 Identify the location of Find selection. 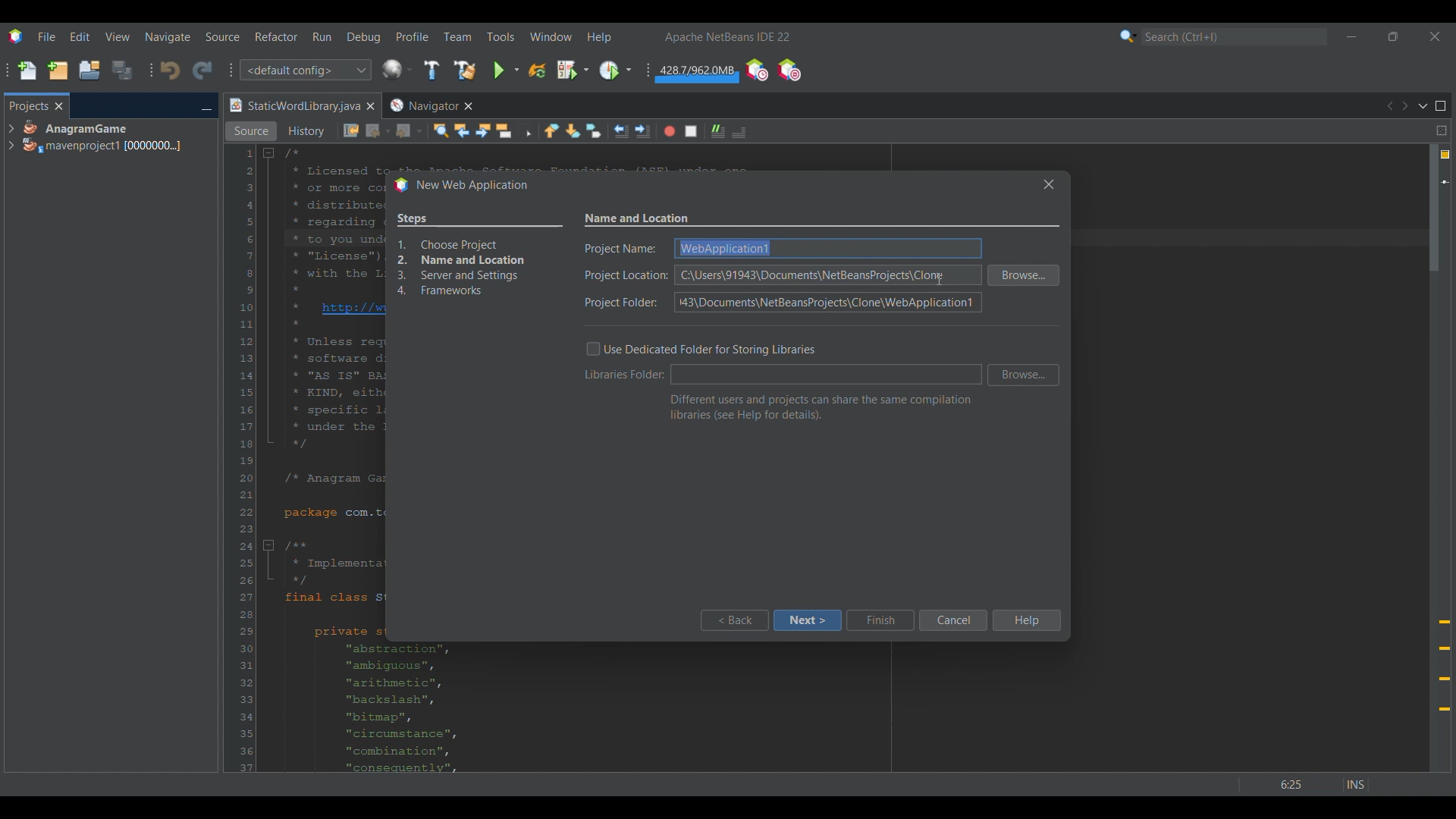
(441, 130).